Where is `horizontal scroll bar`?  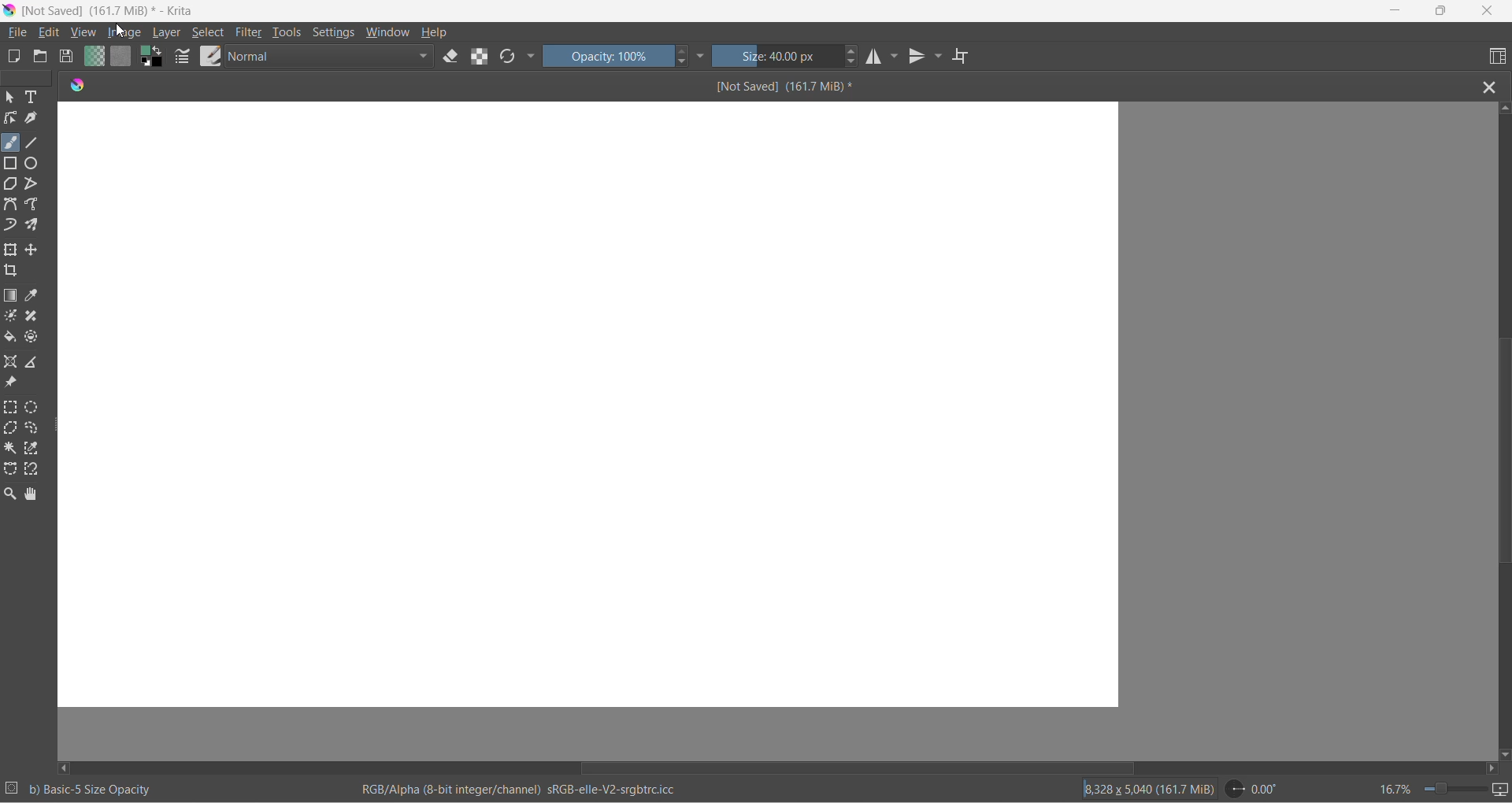
horizontal scroll bar is located at coordinates (857, 763).